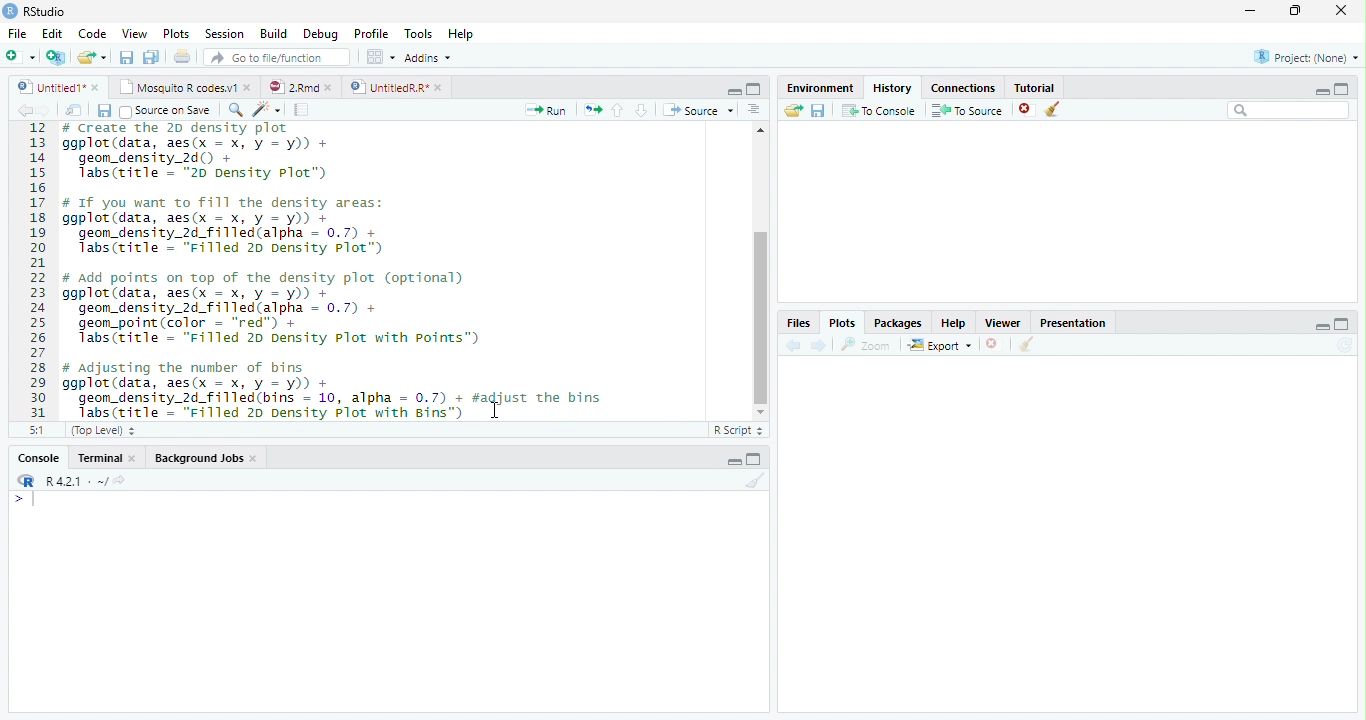  I want to click on Presentatior, so click(1072, 324).